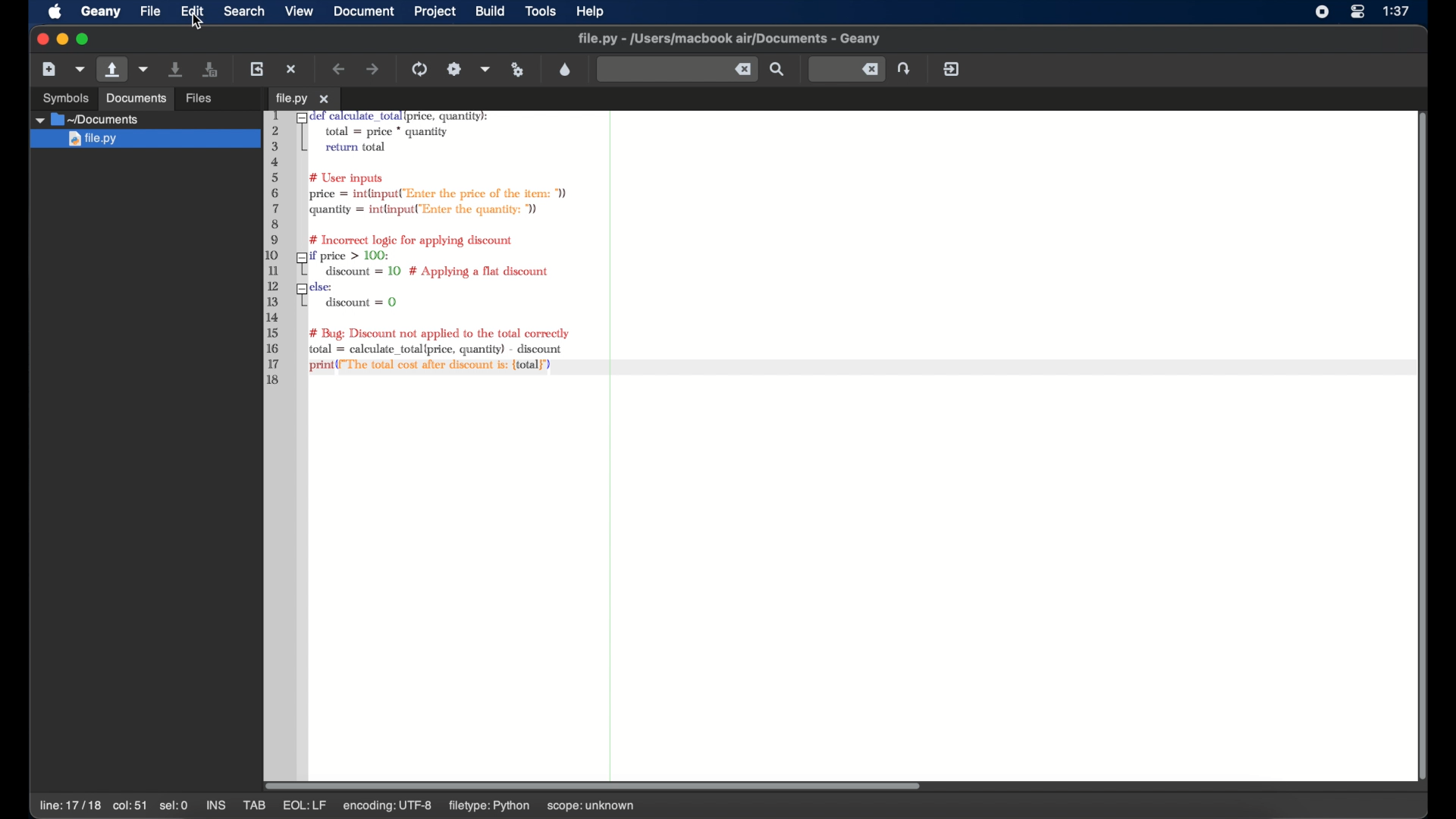 The image size is (1456, 819). I want to click on file.py, so click(146, 140).